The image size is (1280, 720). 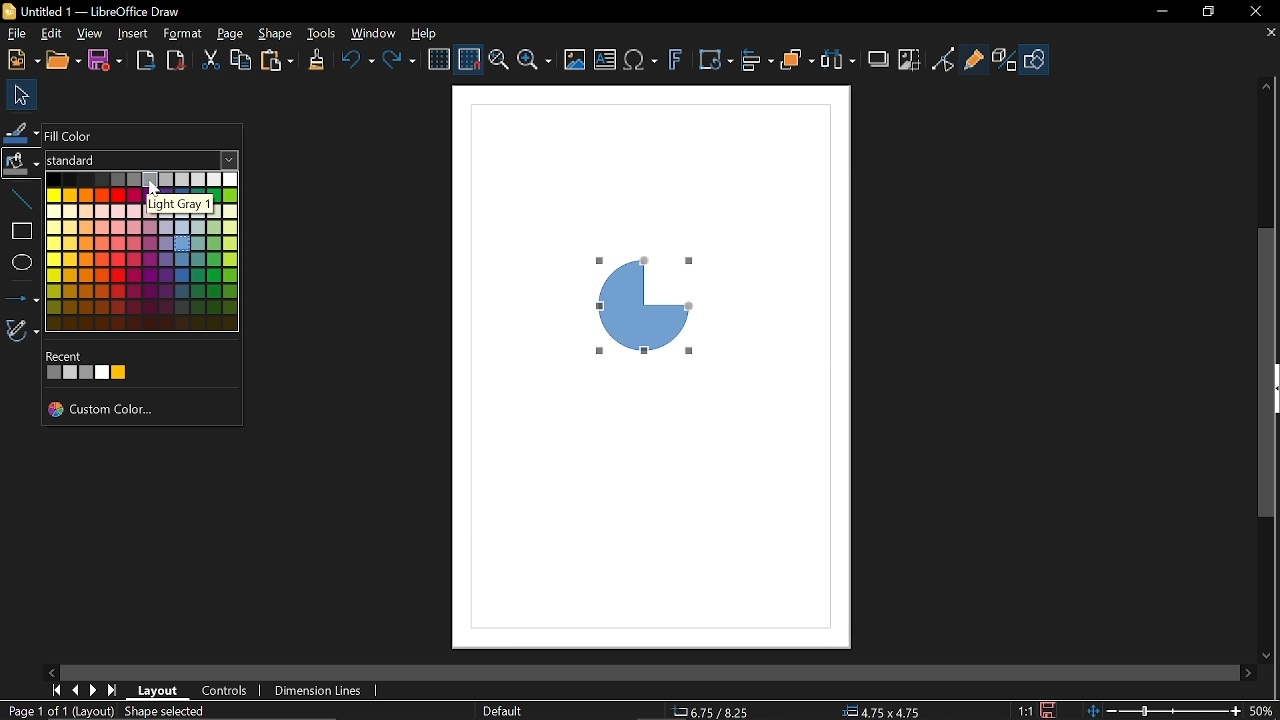 What do you see at coordinates (324, 34) in the screenshot?
I see `Tools` at bounding box center [324, 34].